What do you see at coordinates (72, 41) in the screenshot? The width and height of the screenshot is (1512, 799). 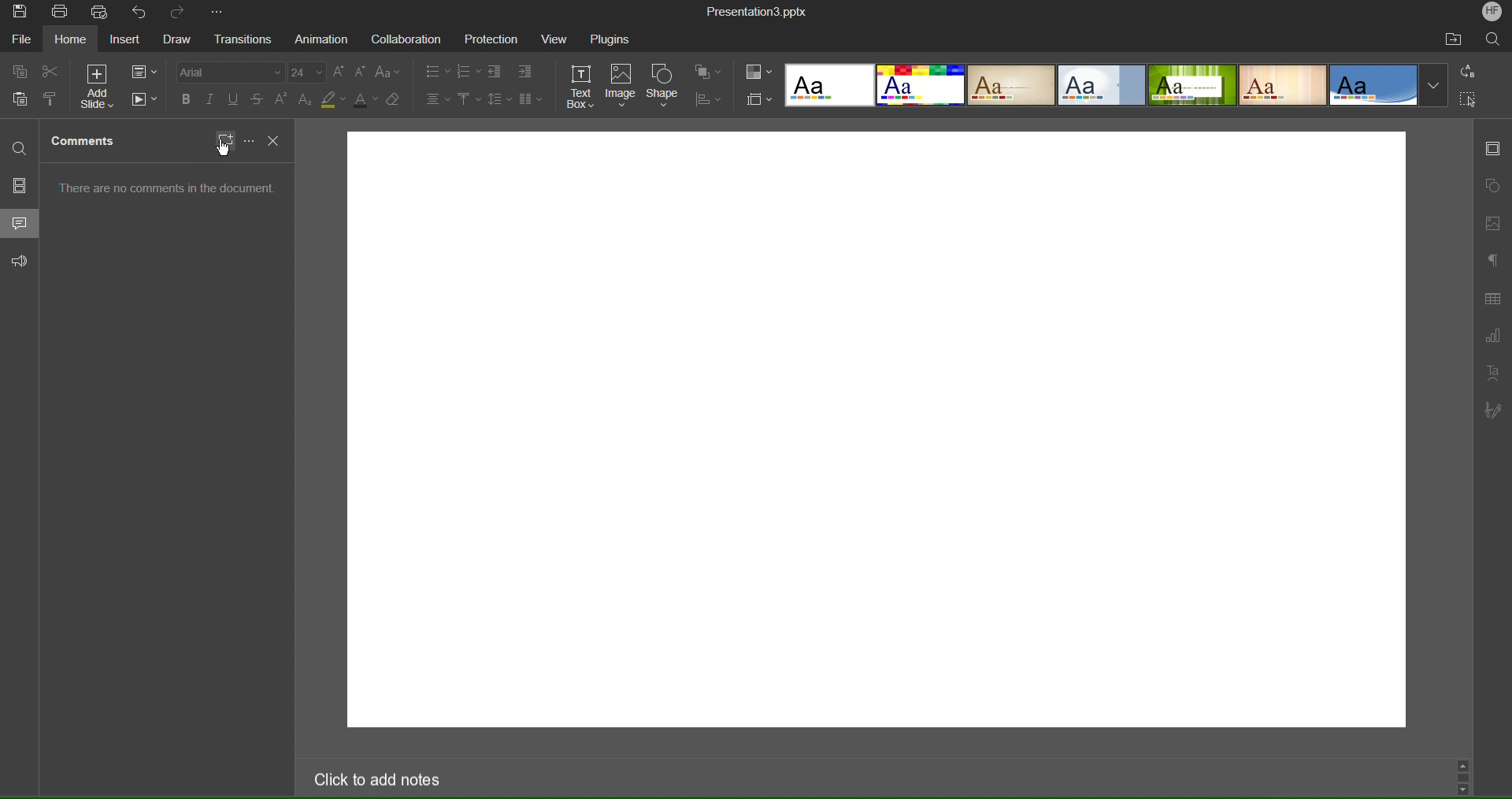 I see `home` at bounding box center [72, 41].